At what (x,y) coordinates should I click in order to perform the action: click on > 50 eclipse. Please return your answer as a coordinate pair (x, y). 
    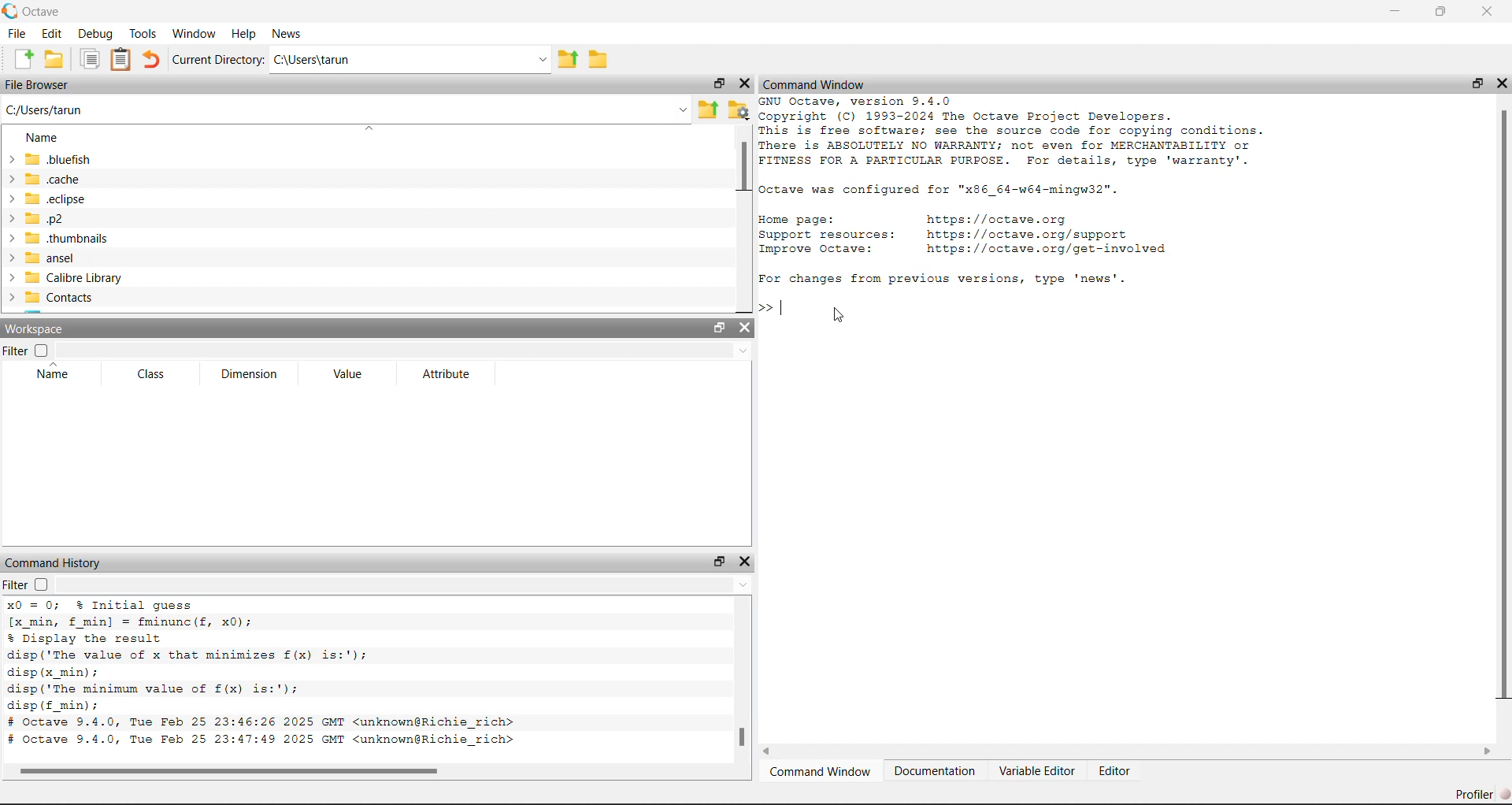
    Looking at the image, I should click on (50, 199).